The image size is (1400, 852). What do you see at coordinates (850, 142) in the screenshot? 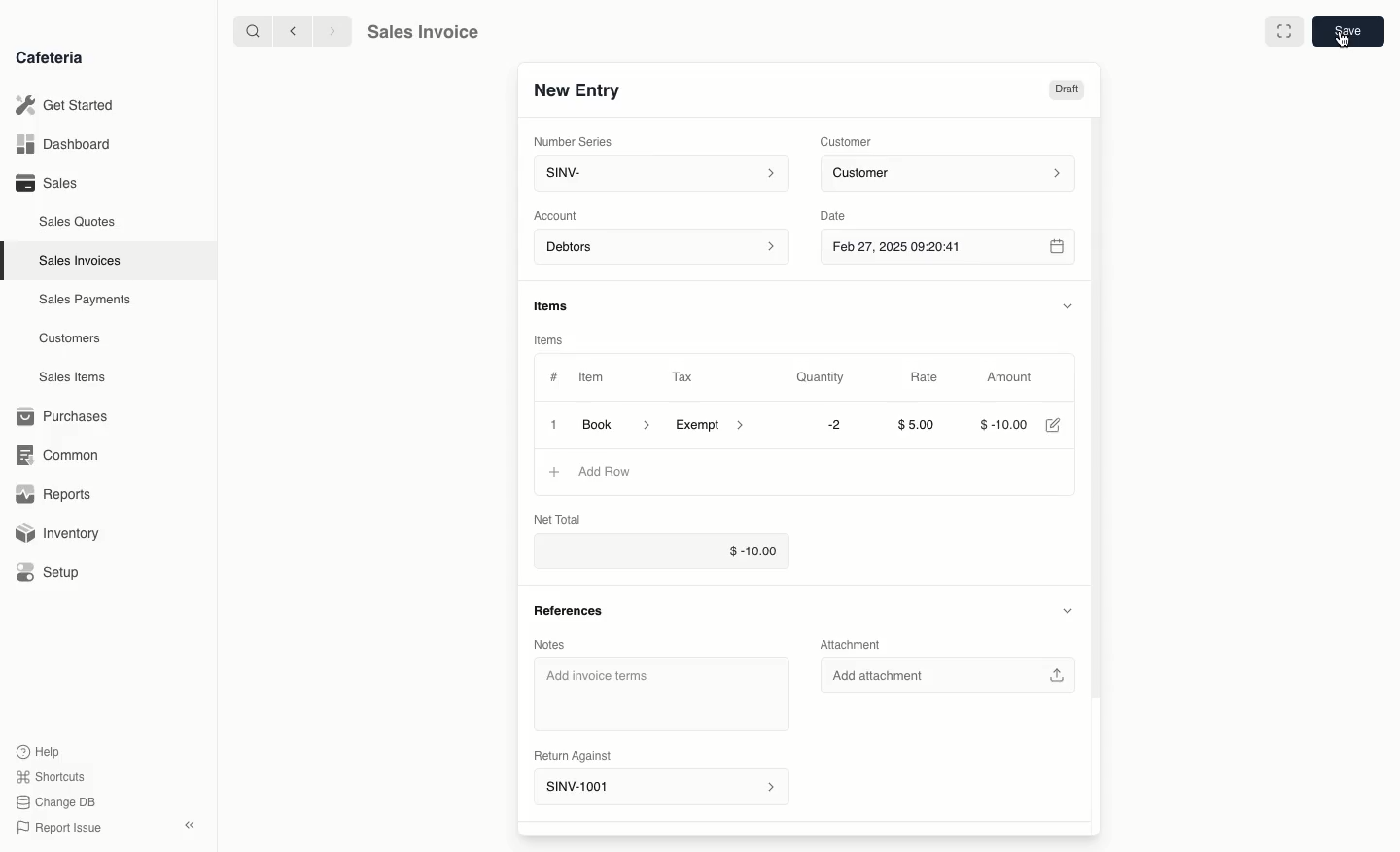
I see `‘Customer` at bounding box center [850, 142].